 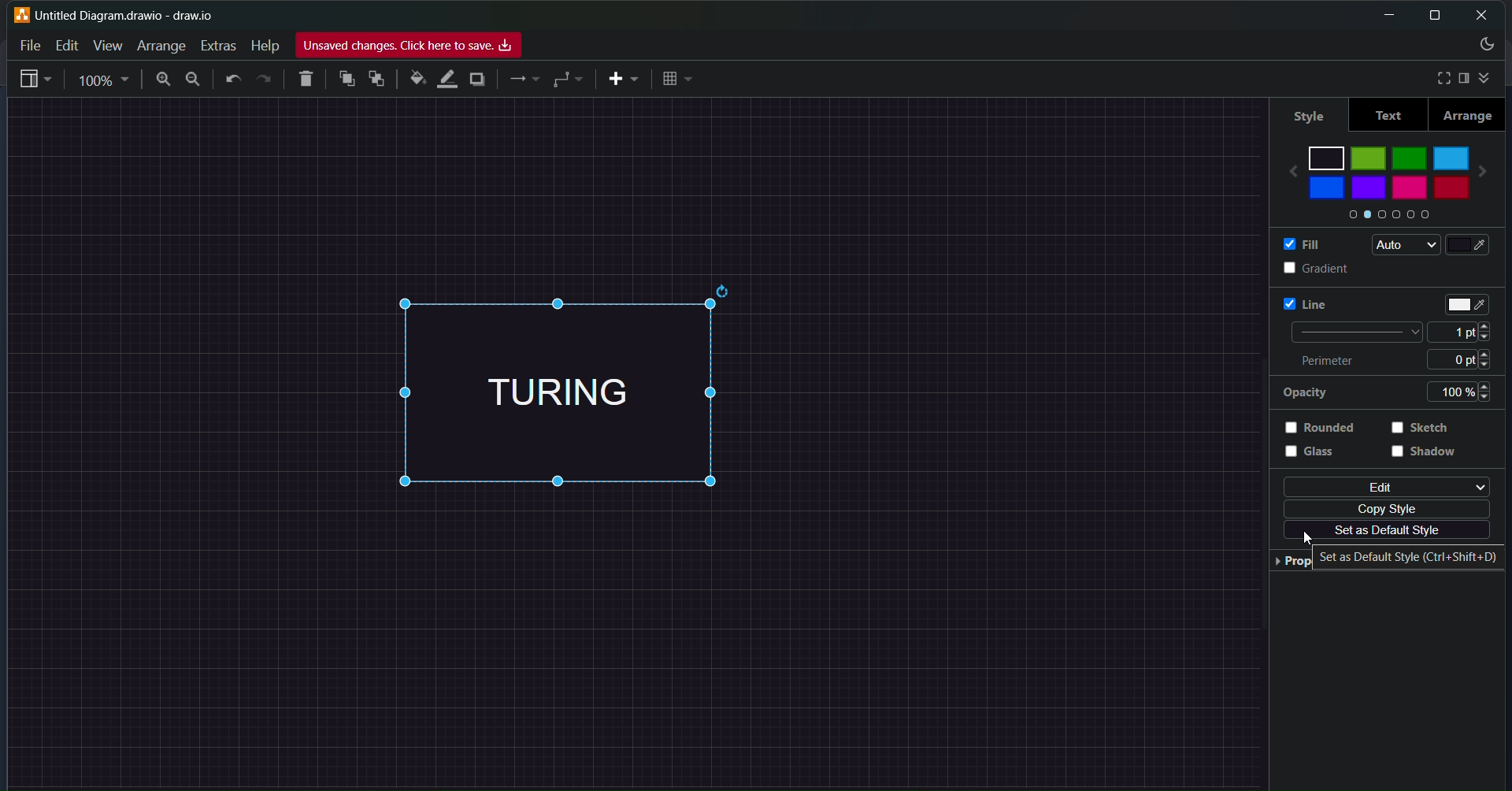 What do you see at coordinates (1449, 189) in the screenshot?
I see `red` at bounding box center [1449, 189].